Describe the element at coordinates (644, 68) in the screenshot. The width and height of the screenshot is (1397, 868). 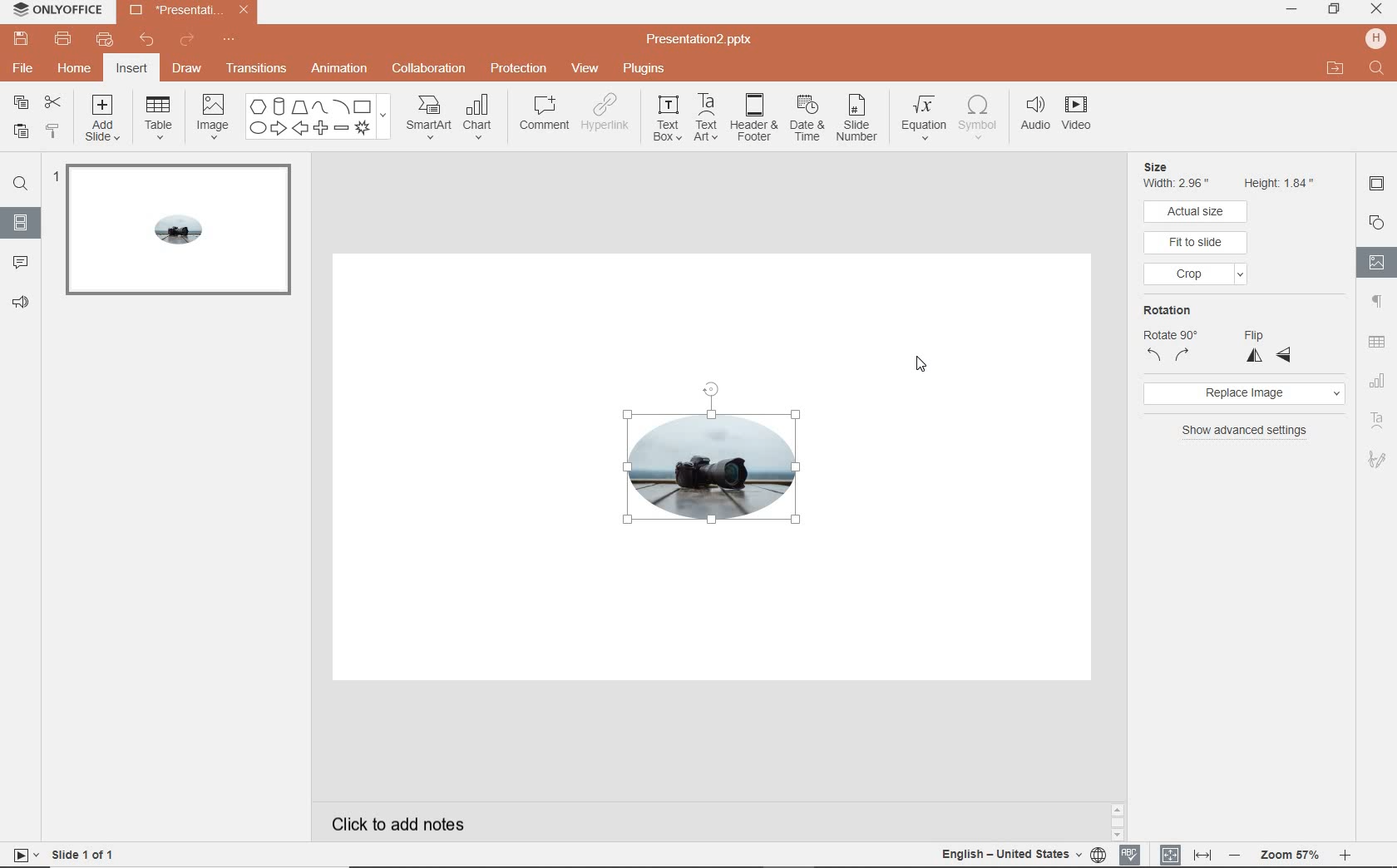
I see `plugins` at that location.